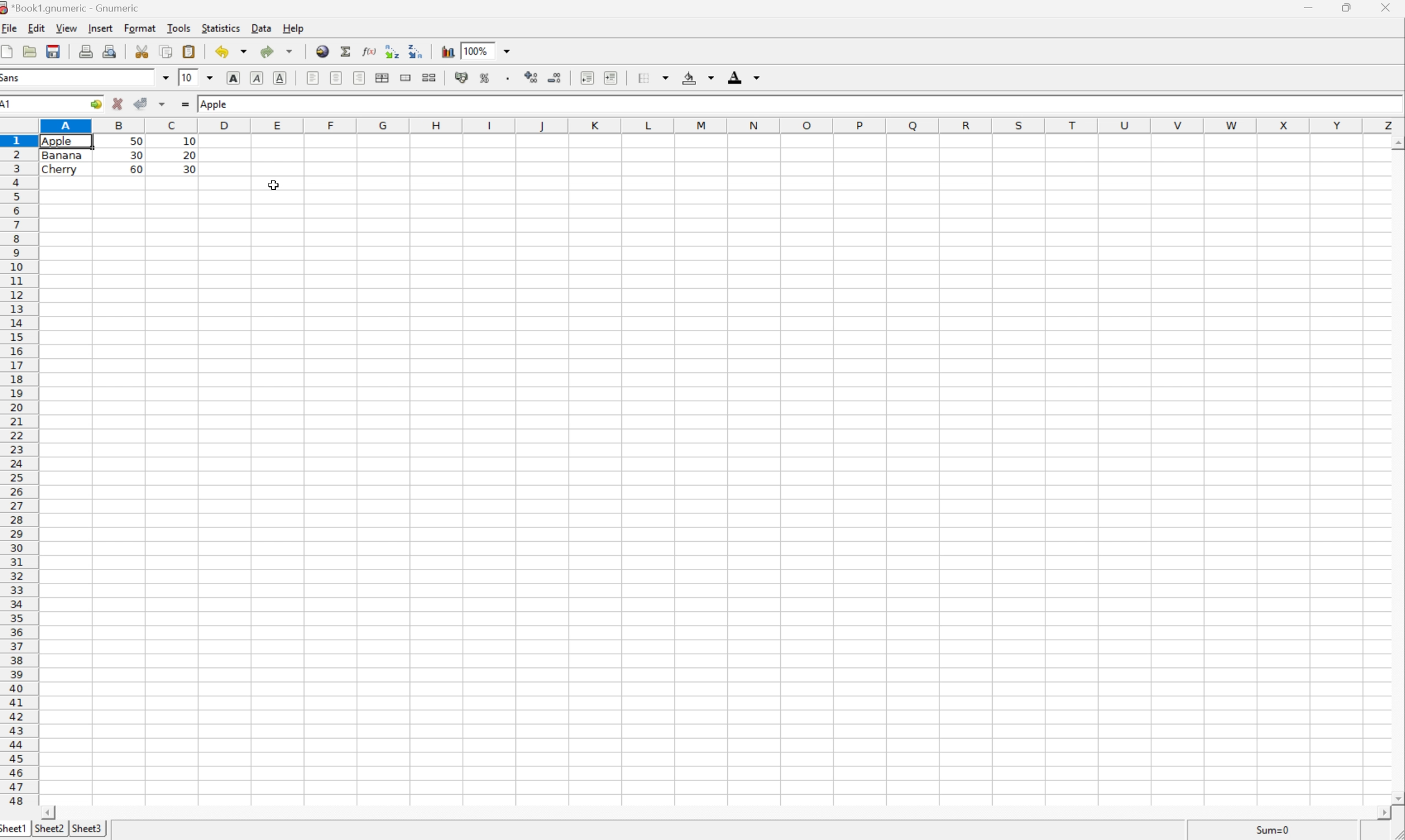 This screenshot has height=840, width=1405. Describe the element at coordinates (392, 52) in the screenshot. I see `Sort the selected region in ascending order based on the first column selected` at that location.